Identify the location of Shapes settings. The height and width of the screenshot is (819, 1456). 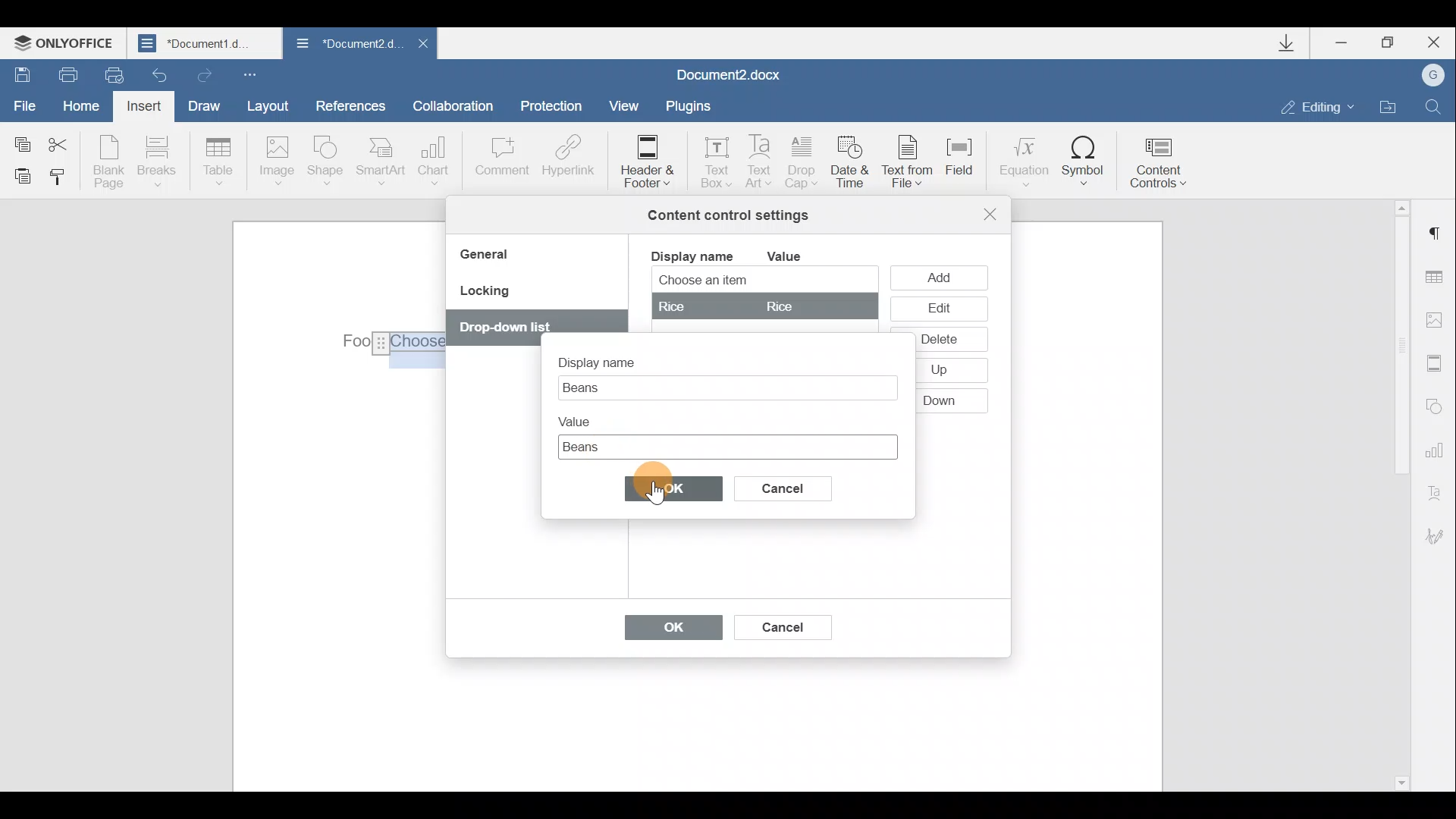
(1435, 404).